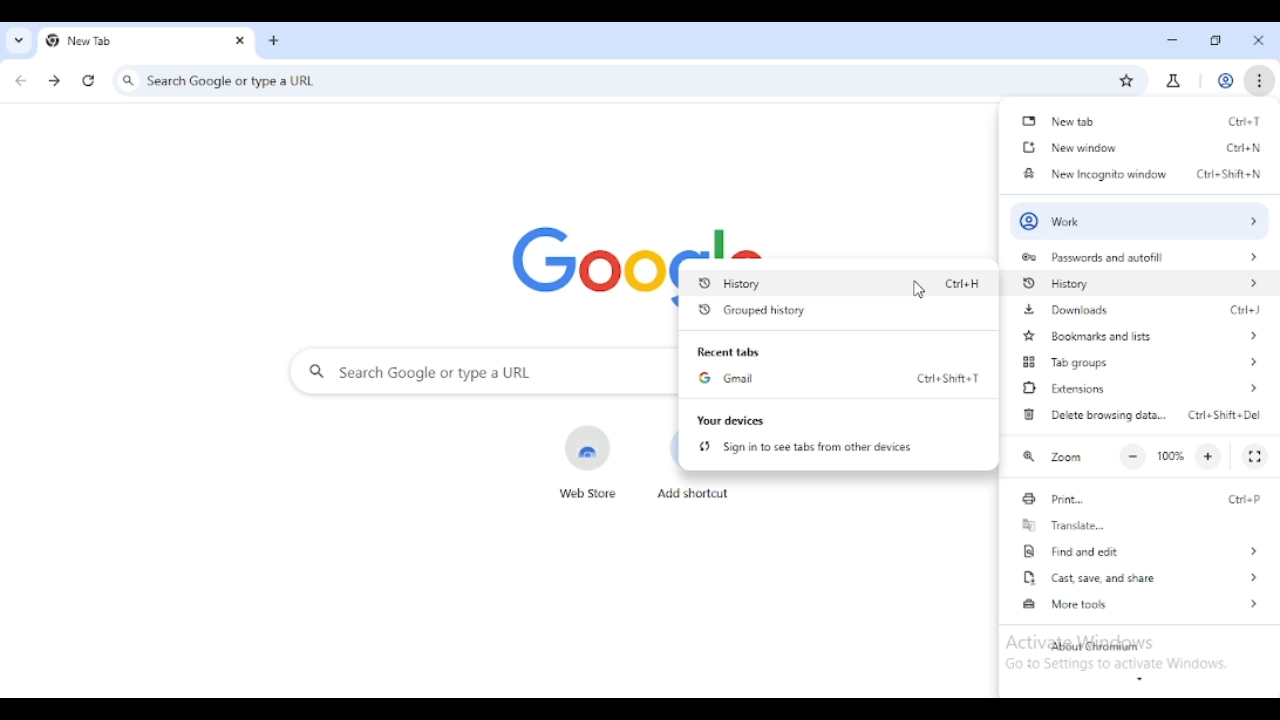 The image size is (1280, 720). Describe the element at coordinates (726, 379) in the screenshot. I see `Gmail` at that location.